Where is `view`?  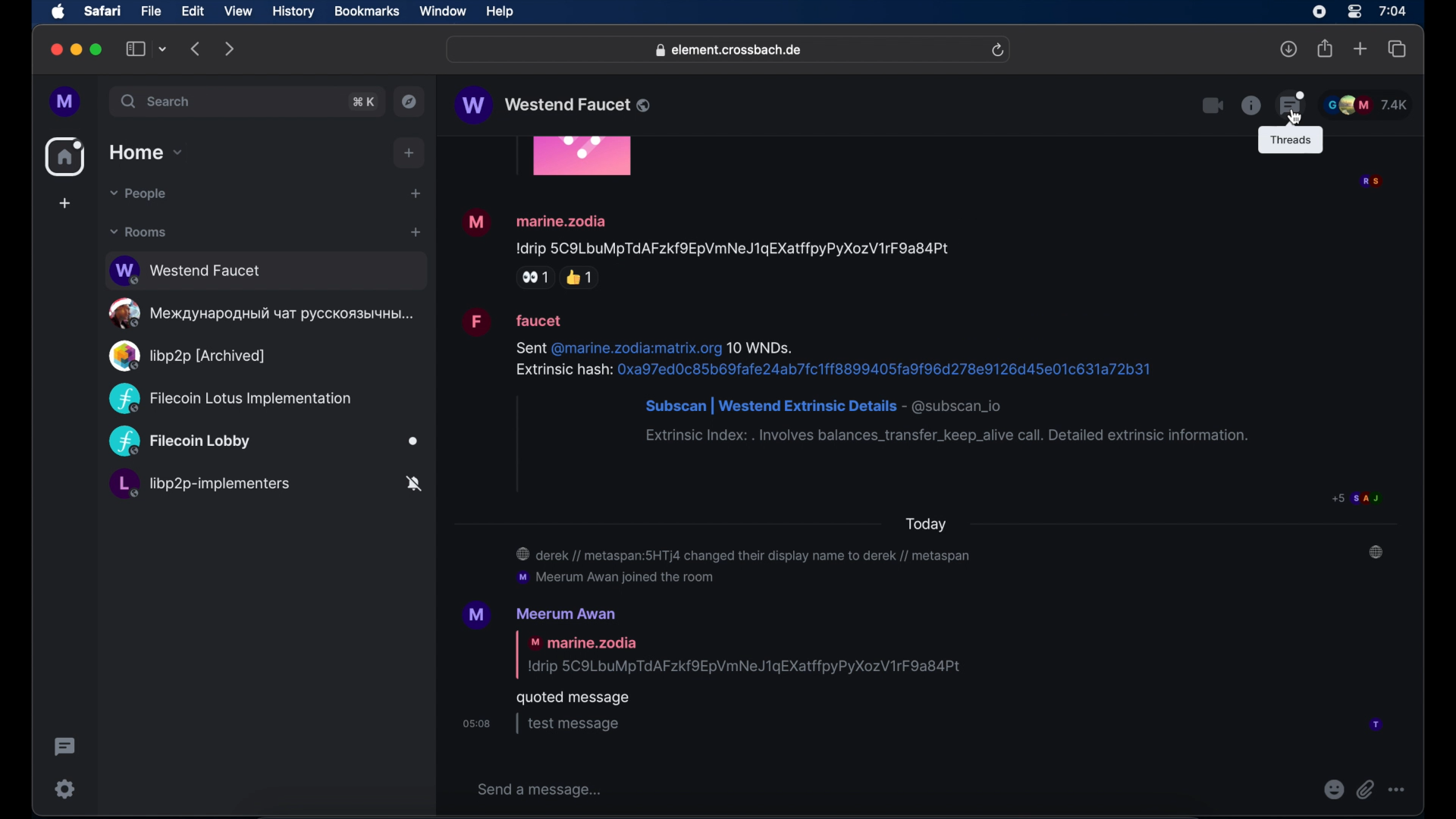
view is located at coordinates (238, 11).